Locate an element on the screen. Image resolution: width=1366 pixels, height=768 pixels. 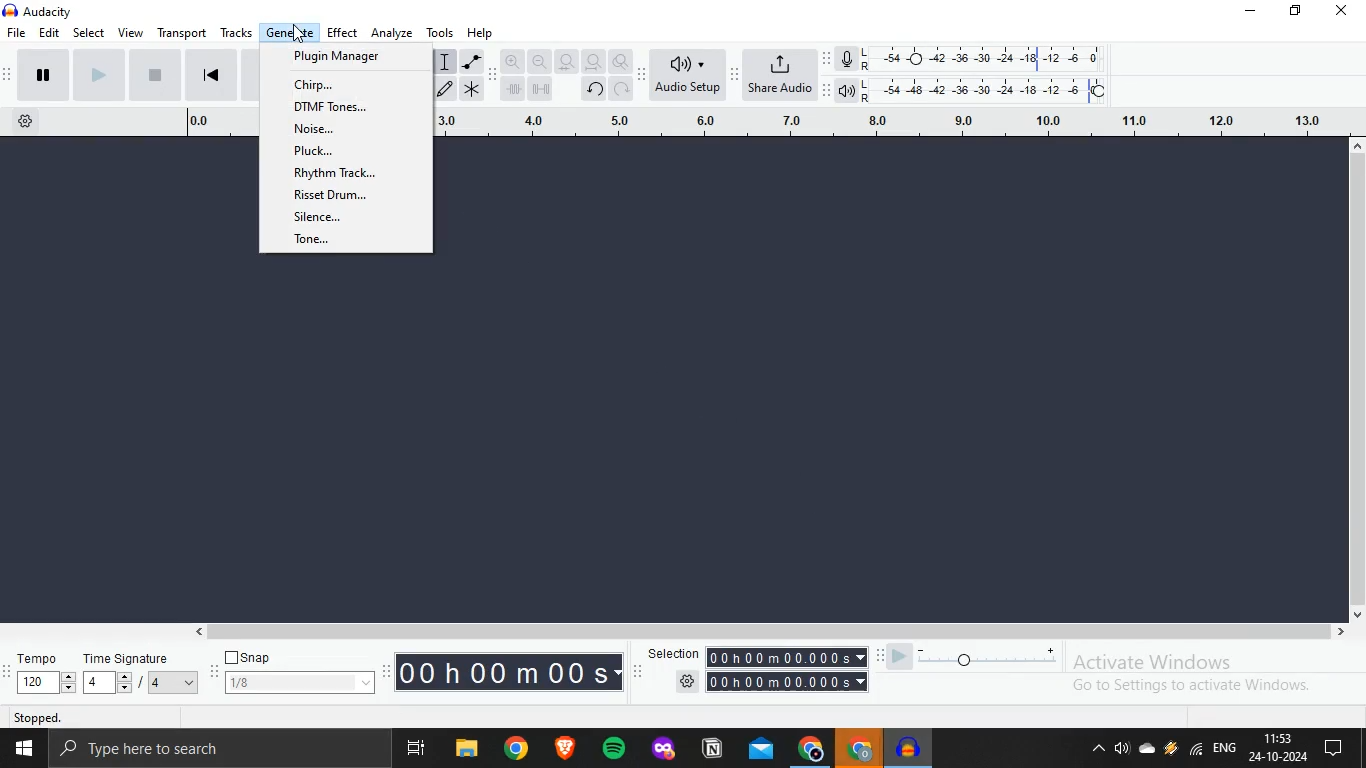
Audio Setup is located at coordinates (687, 72).